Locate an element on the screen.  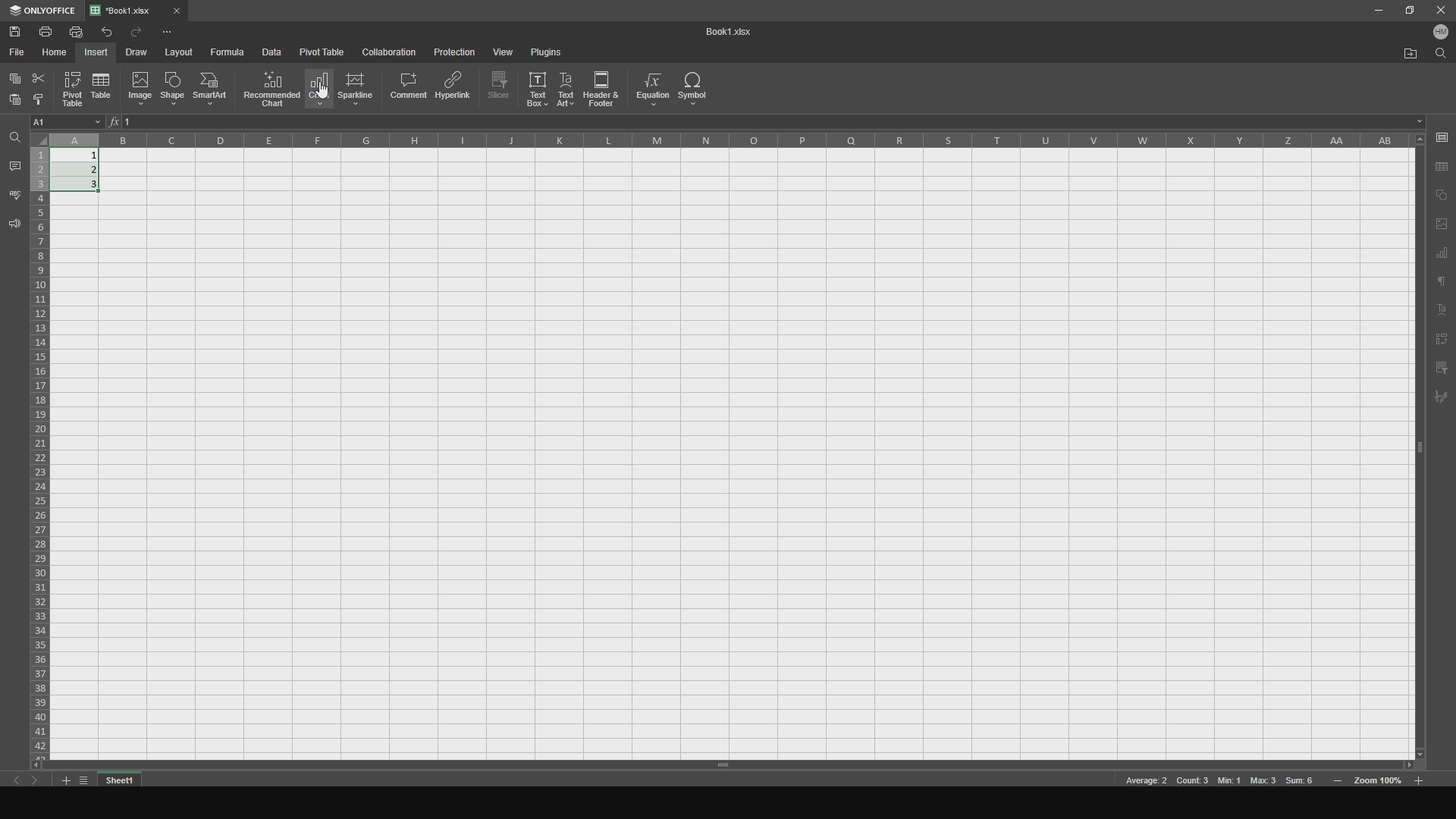
previous sheet is located at coordinates (24, 783).